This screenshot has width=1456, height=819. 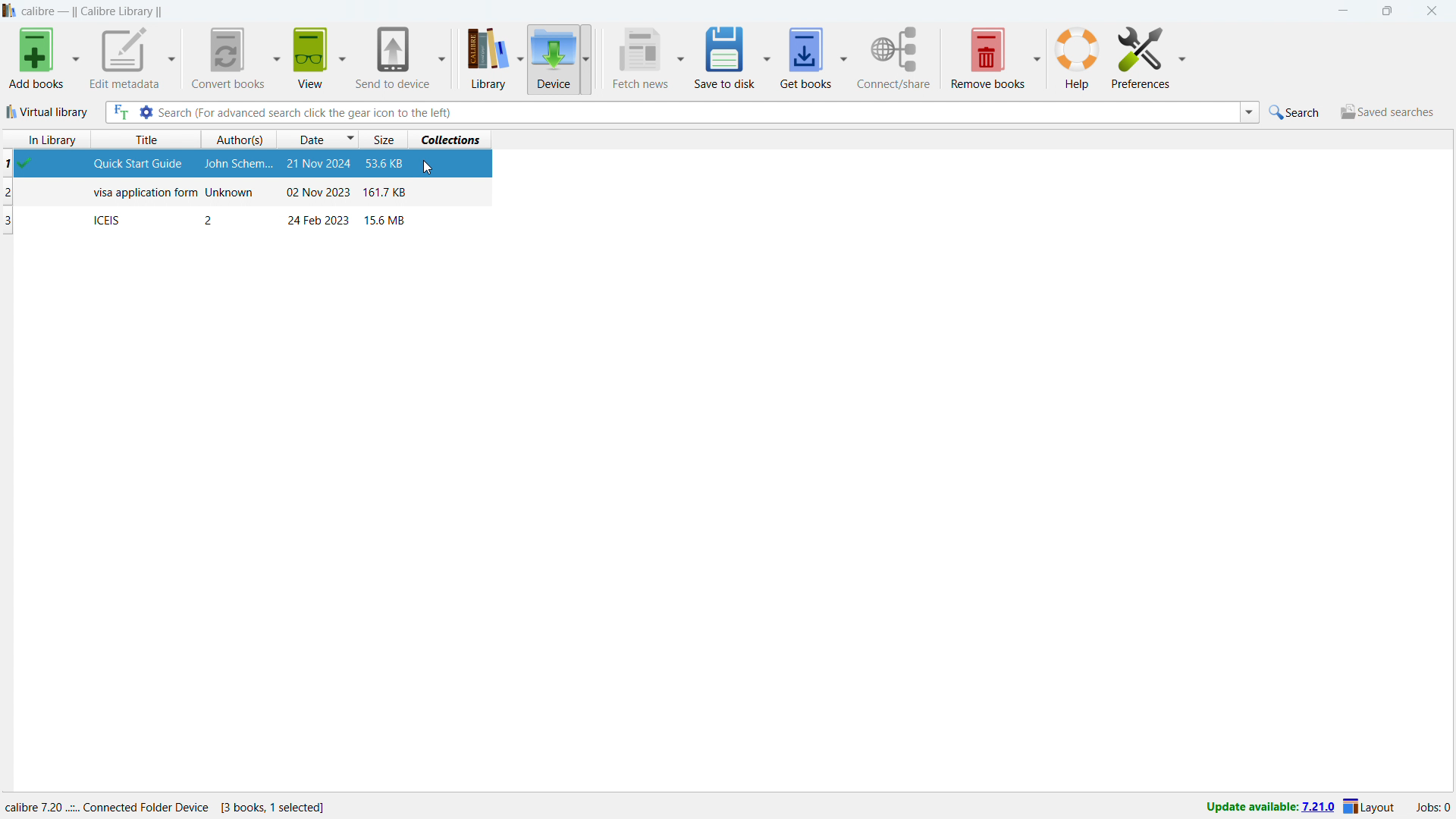 I want to click on search history, so click(x=1249, y=112).